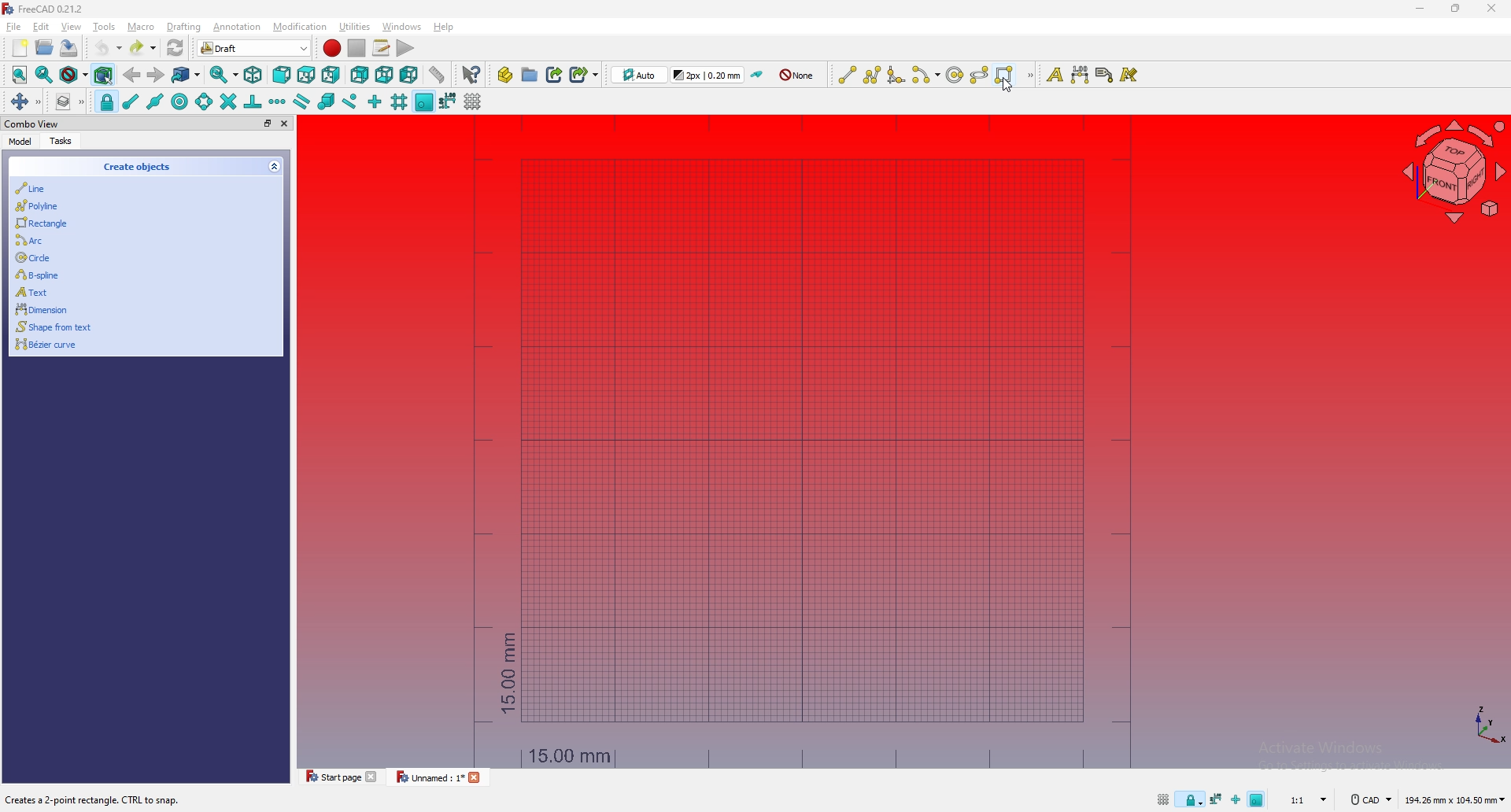 Image resolution: width=1511 pixels, height=812 pixels. What do you see at coordinates (43, 75) in the screenshot?
I see `fit all selection` at bounding box center [43, 75].